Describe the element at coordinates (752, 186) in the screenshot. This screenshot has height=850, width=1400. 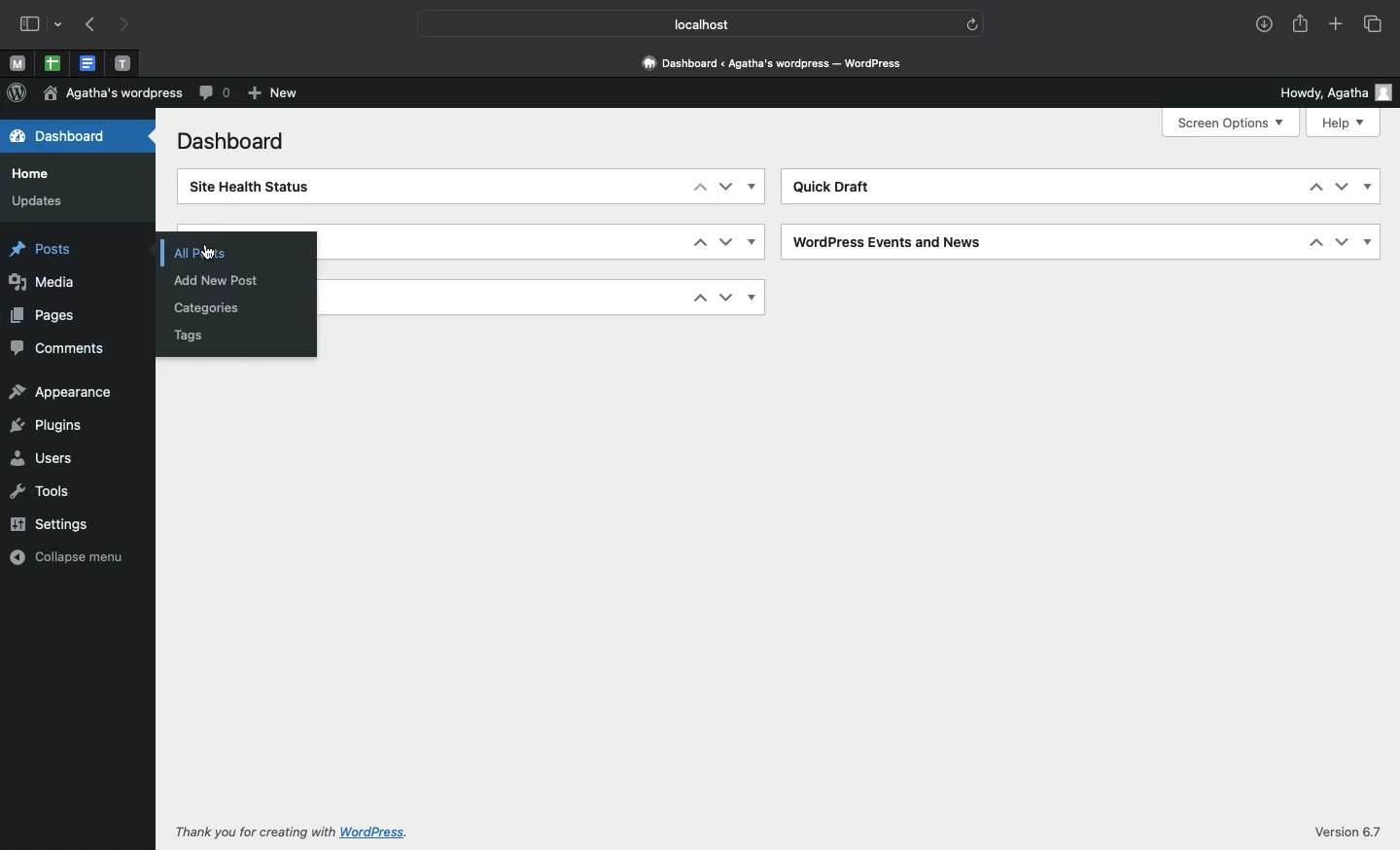
I see `Show` at that location.